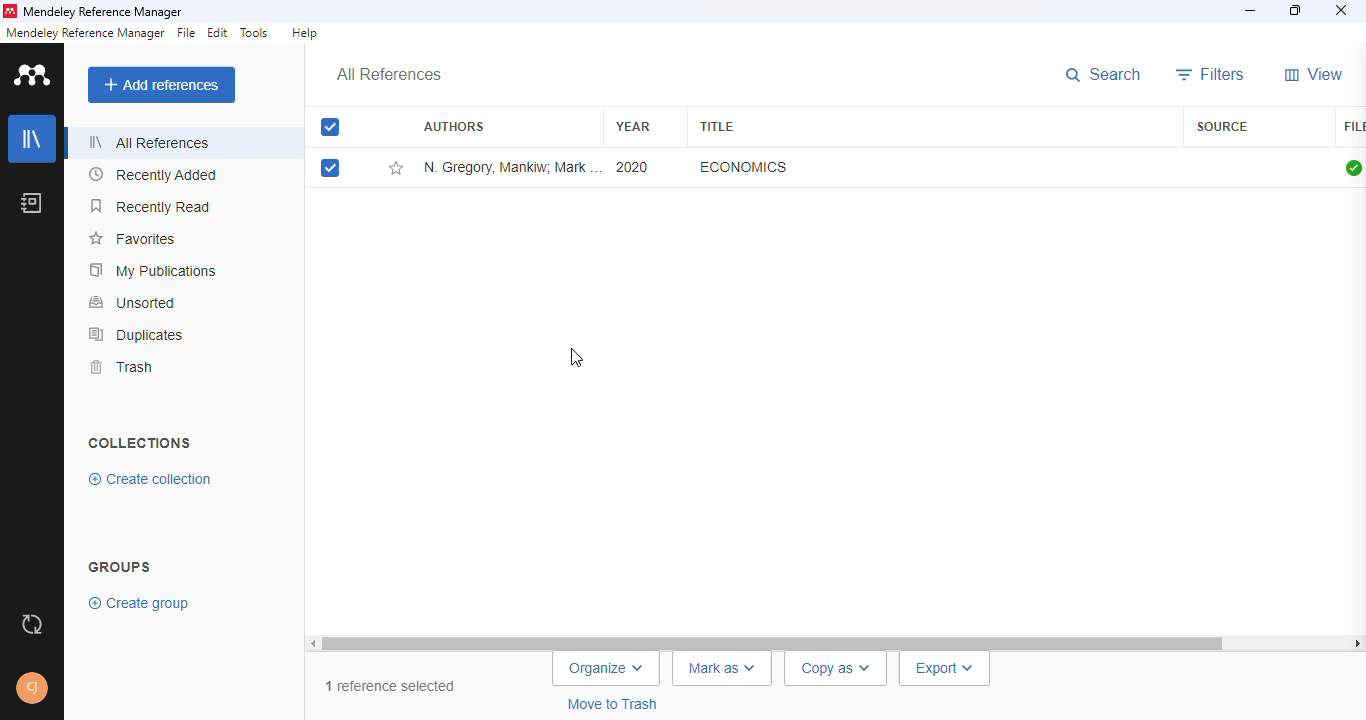 This screenshot has width=1366, height=720. What do you see at coordinates (137, 335) in the screenshot?
I see `duplicates` at bounding box center [137, 335].